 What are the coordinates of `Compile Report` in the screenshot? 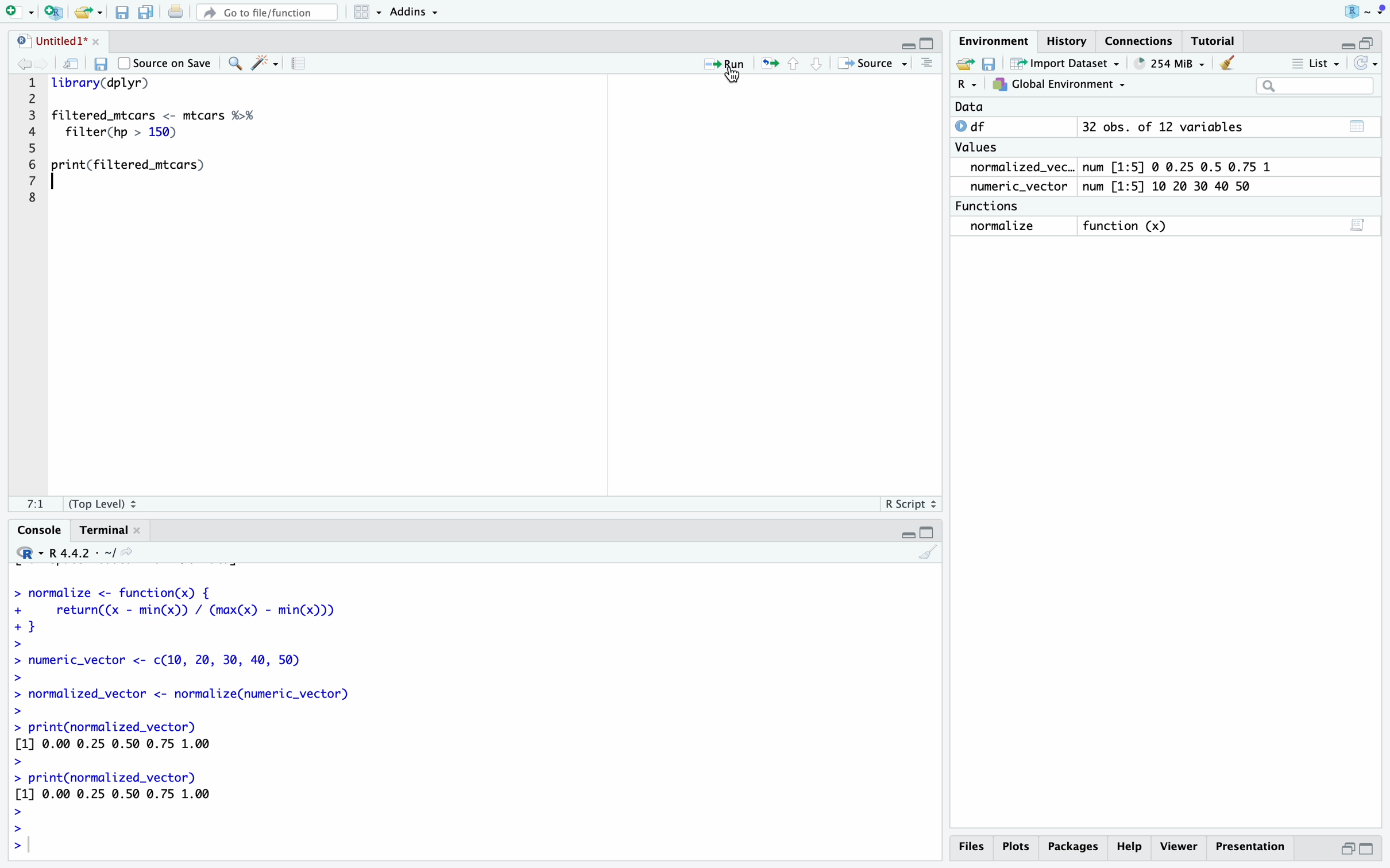 It's located at (303, 64).